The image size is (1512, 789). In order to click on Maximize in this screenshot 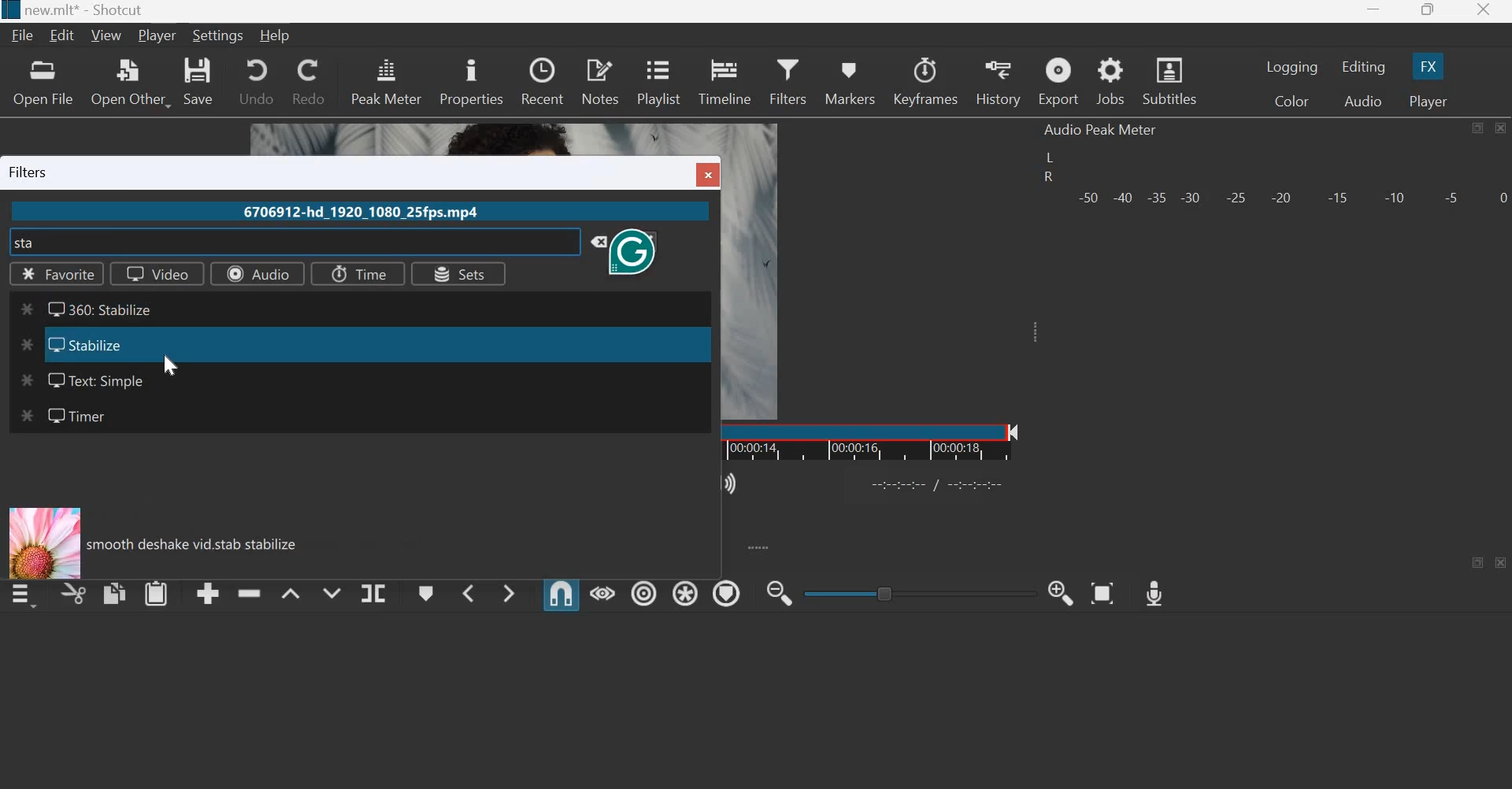, I will do `click(1429, 11)`.